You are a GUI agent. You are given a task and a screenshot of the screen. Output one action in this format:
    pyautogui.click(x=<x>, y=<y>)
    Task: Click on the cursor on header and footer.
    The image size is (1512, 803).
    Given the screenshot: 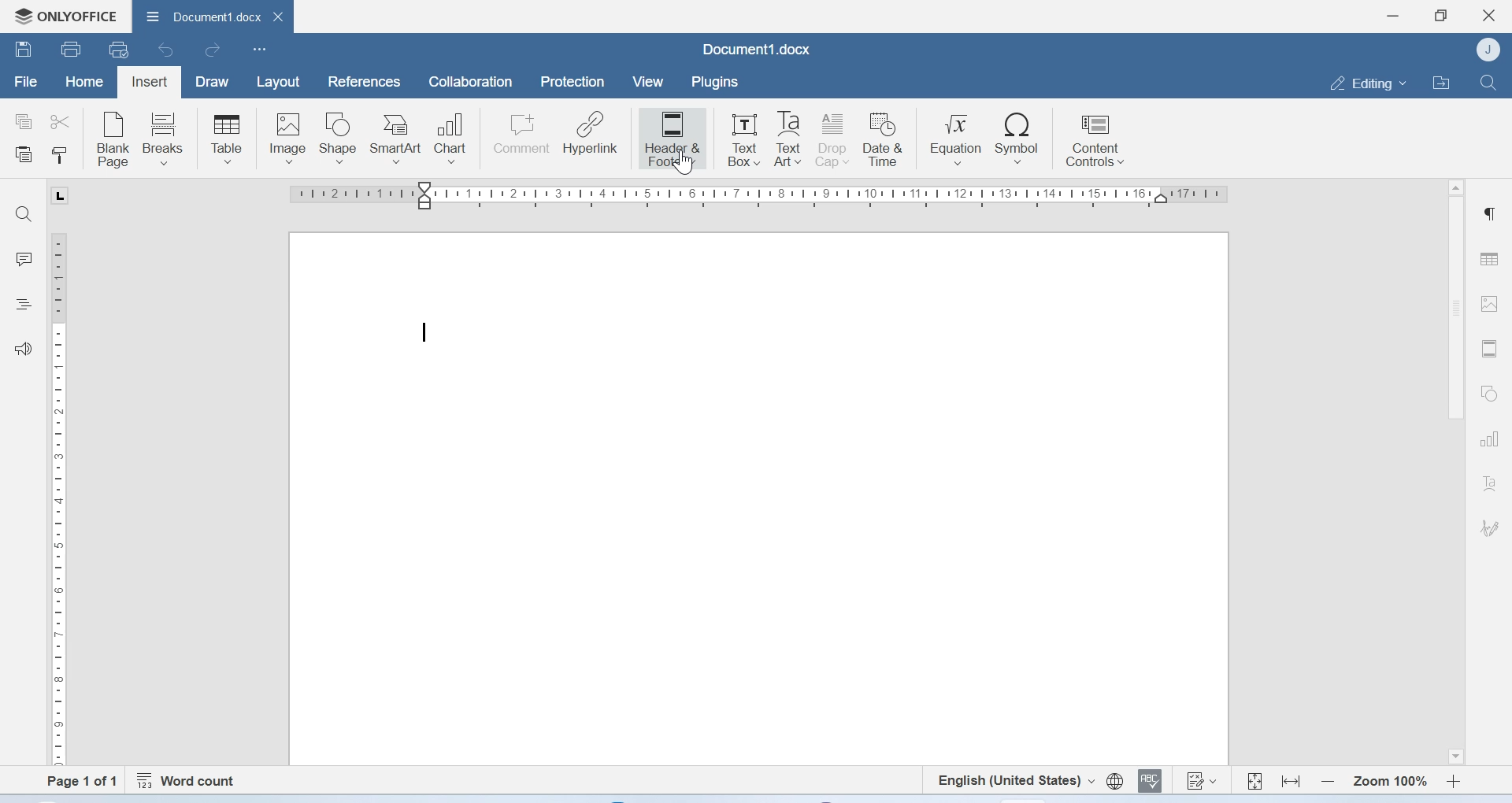 What is the action you would take?
    pyautogui.click(x=684, y=165)
    